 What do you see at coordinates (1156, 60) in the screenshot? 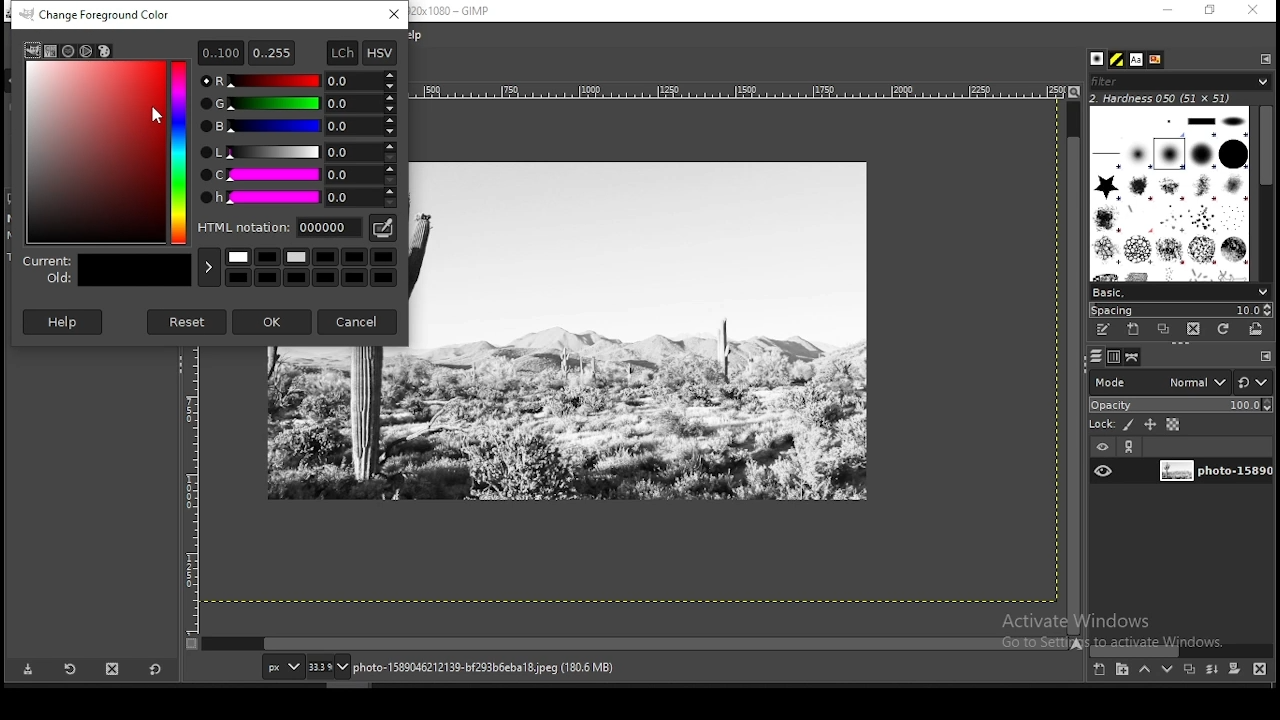
I see `document history` at bounding box center [1156, 60].